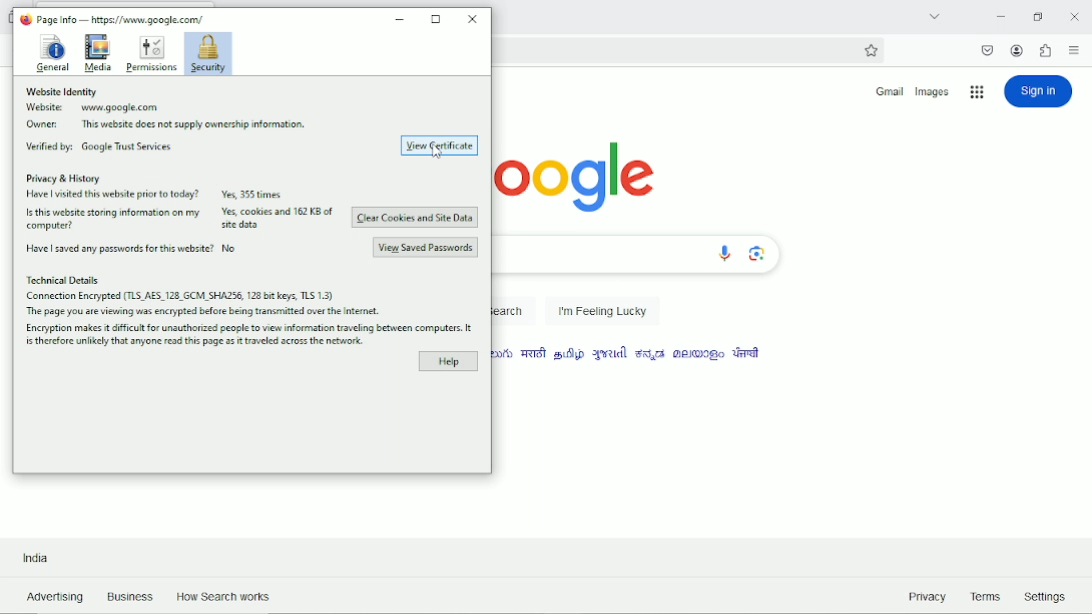 The height and width of the screenshot is (614, 1092). I want to click on Google Trust Services, so click(133, 147).